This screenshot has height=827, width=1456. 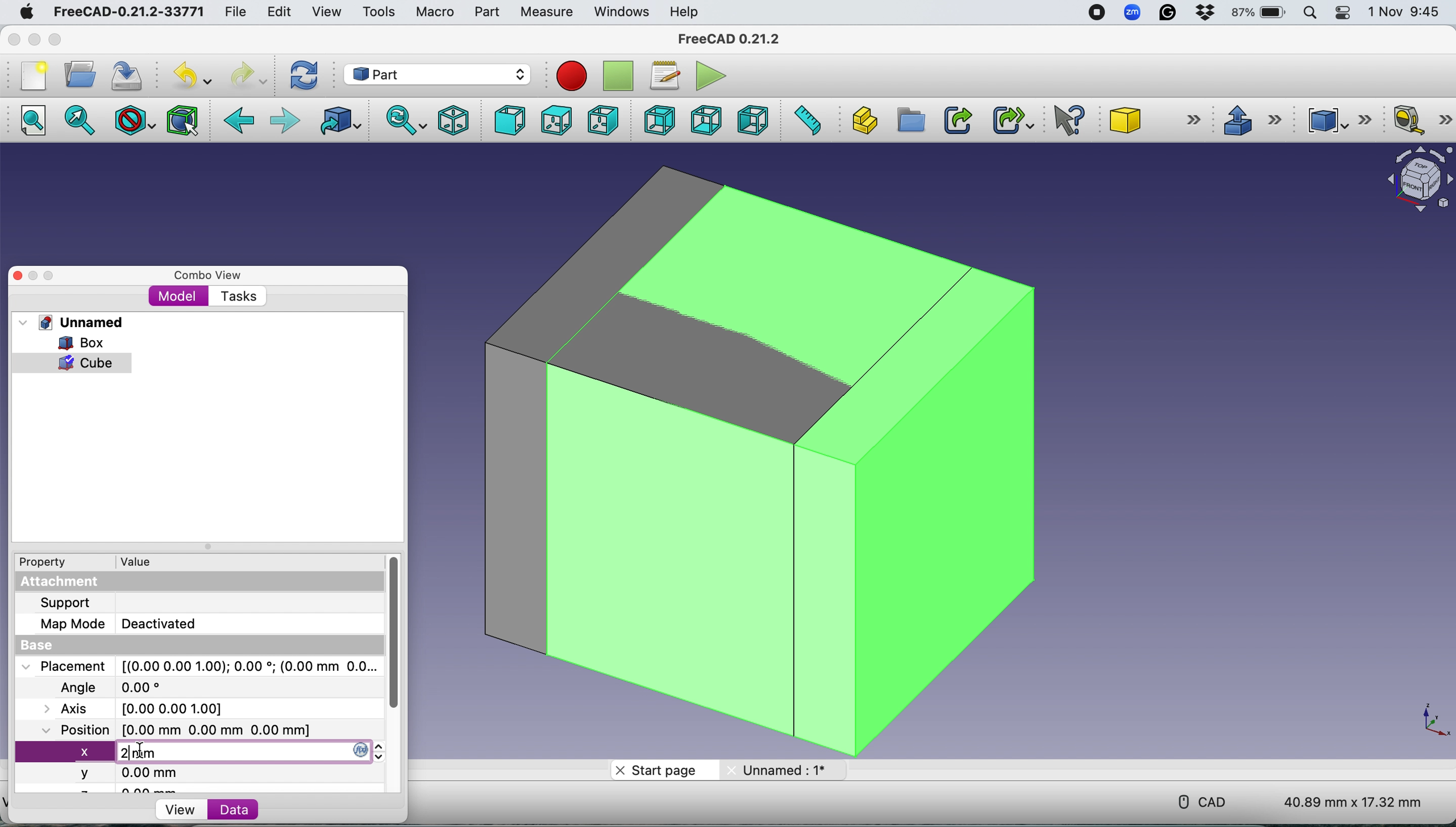 What do you see at coordinates (714, 74) in the screenshot?
I see `Execute macros` at bounding box center [714, 74].